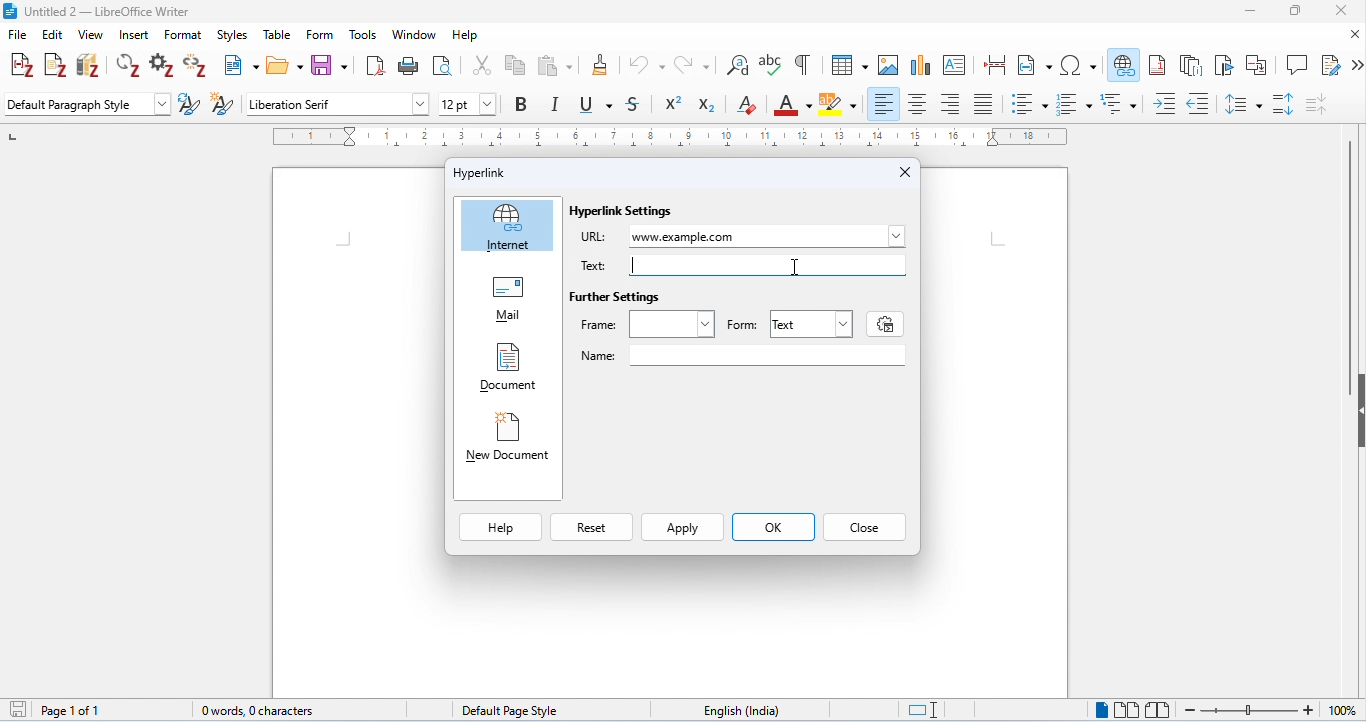  What do you see at coordinates (555, 64) in the screenshot?
I see `paste` at bounding box center [555, 64].